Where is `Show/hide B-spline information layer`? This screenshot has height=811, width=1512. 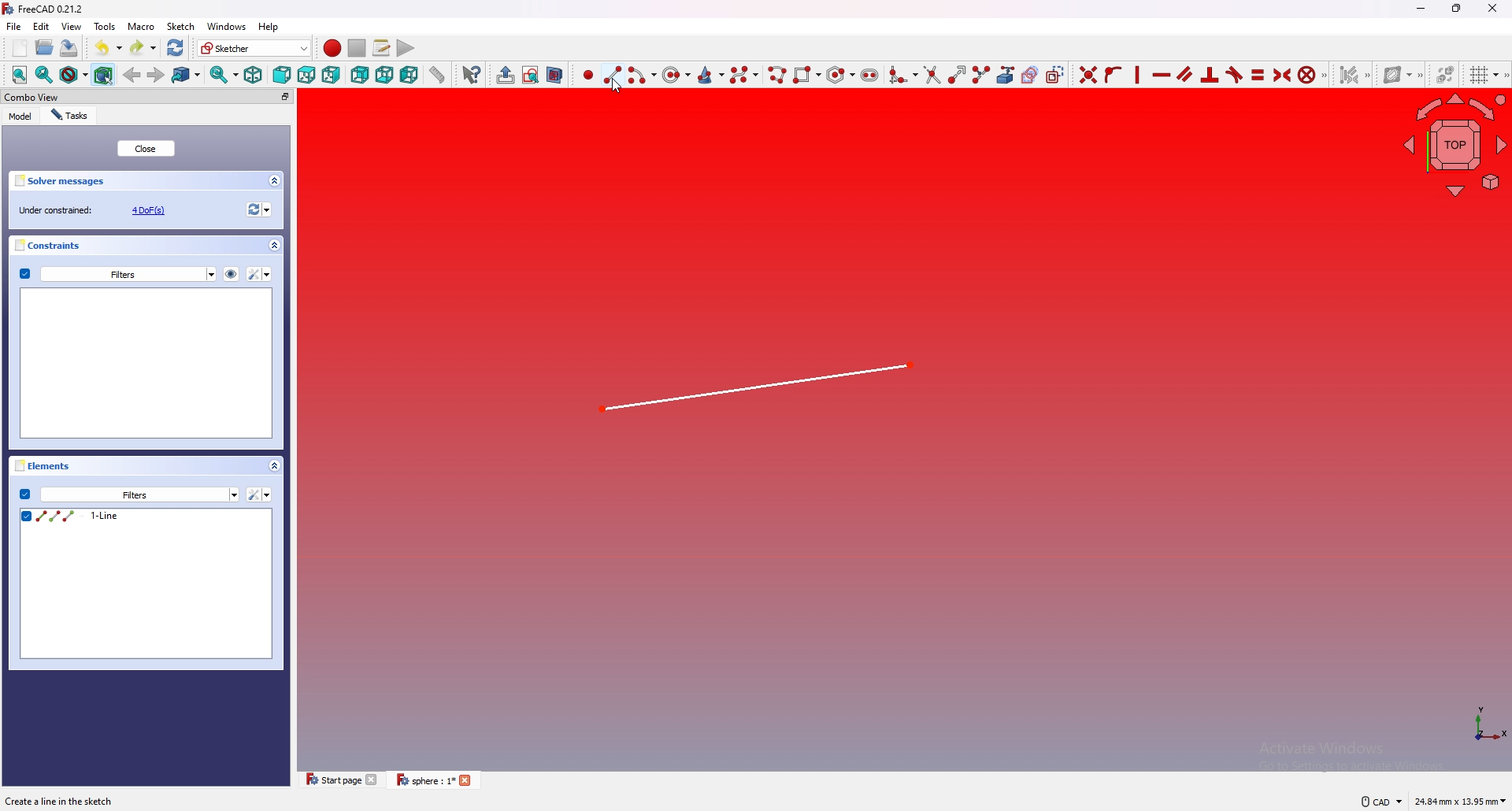 Show/hide B-spline information layer is located at coordinates (1404, 73).